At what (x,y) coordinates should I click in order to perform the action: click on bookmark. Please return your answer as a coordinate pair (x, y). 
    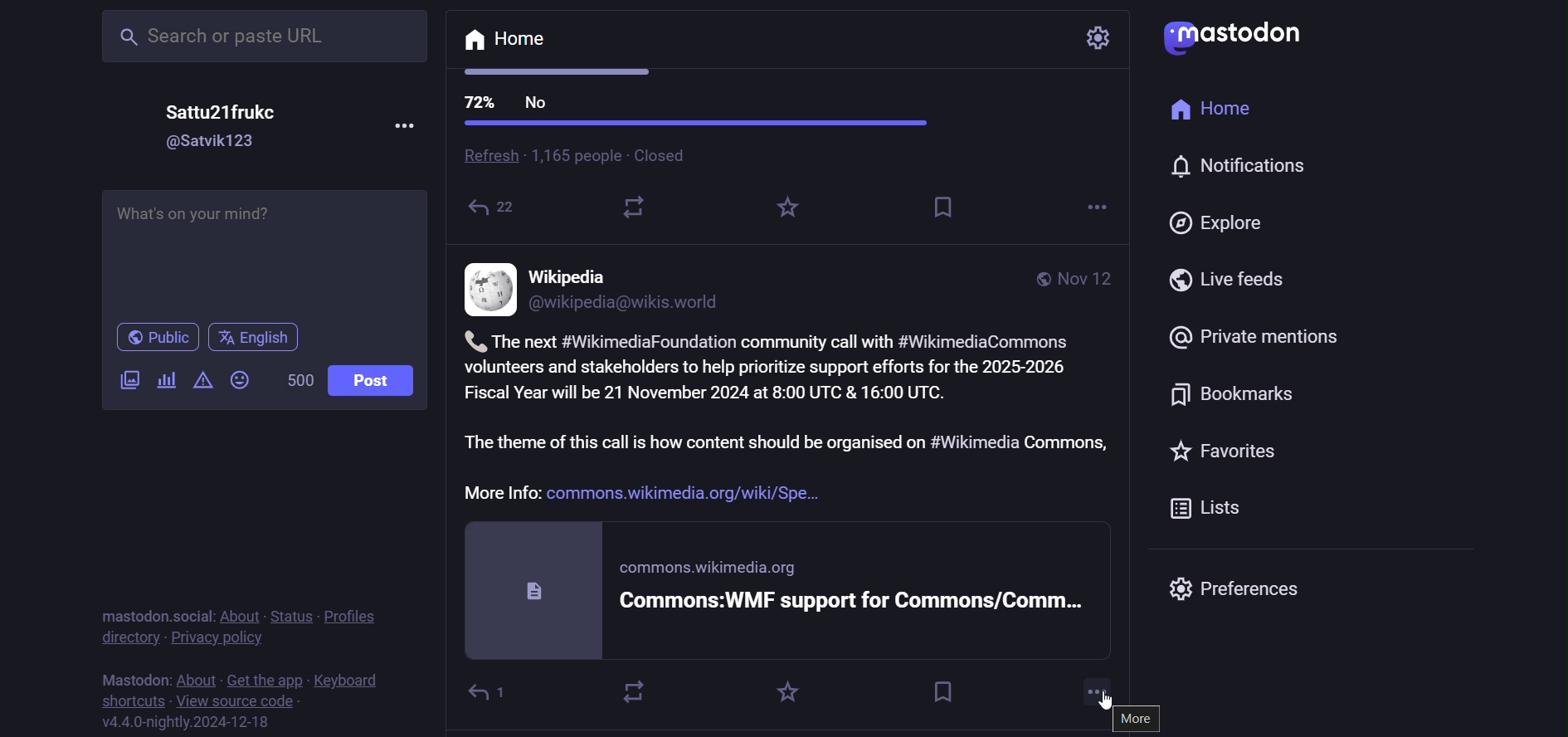
    Looking at the image, I should click on (942, 691).